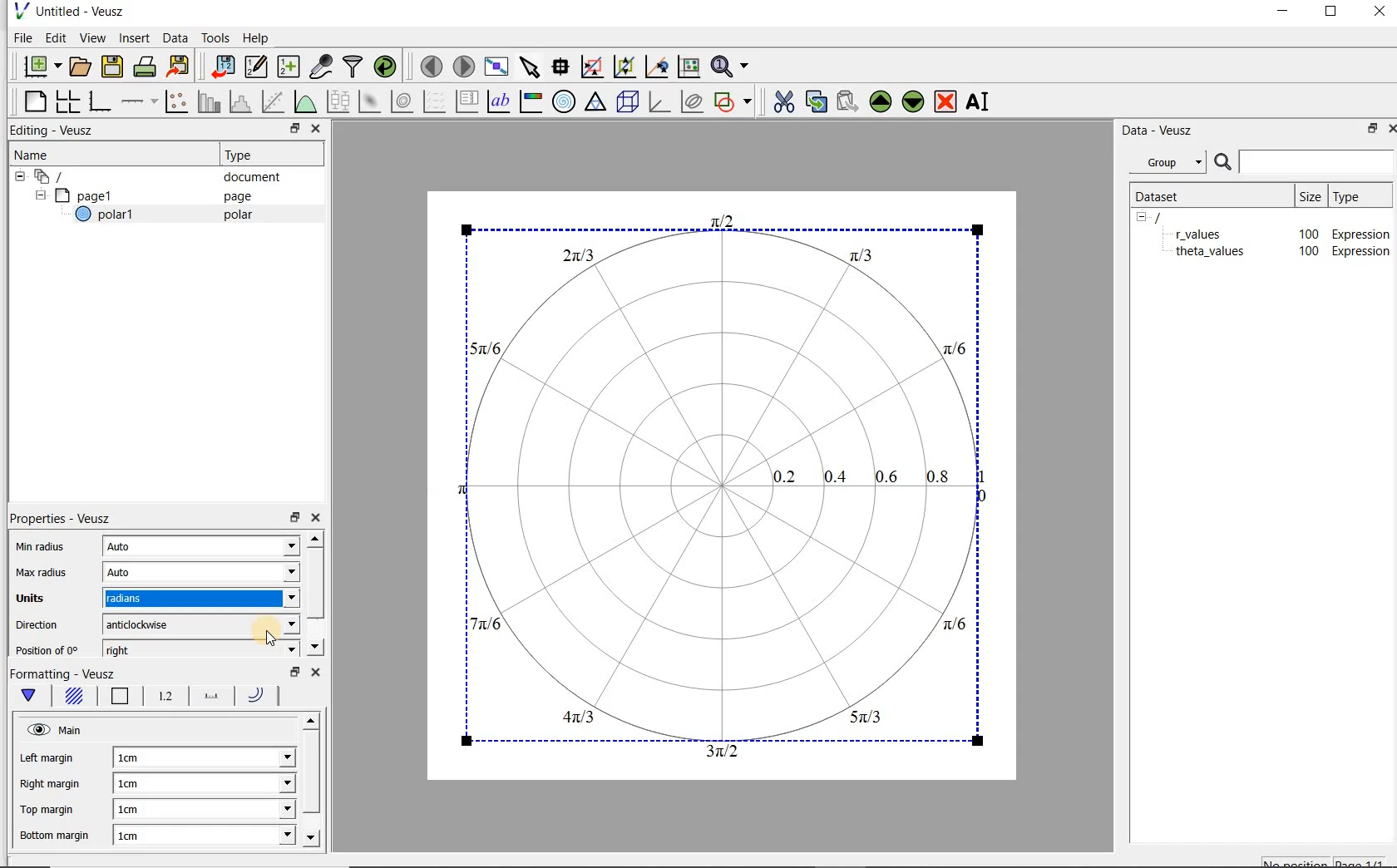 This screenshot has height=868, width=1397. Describe the element at coordinates (112, 216) in the screenshot. I see `polar1` at that location.